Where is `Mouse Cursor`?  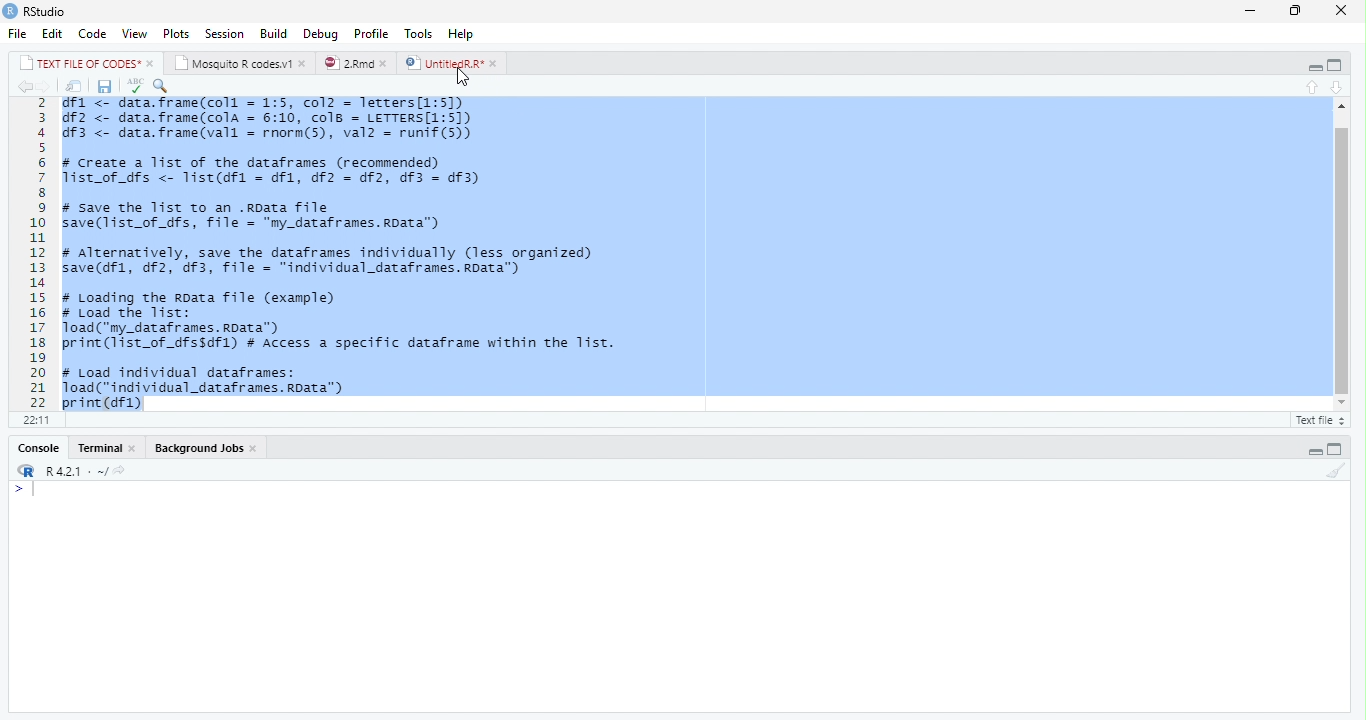
Mouse Cursor is located at coordinates (463, 78).